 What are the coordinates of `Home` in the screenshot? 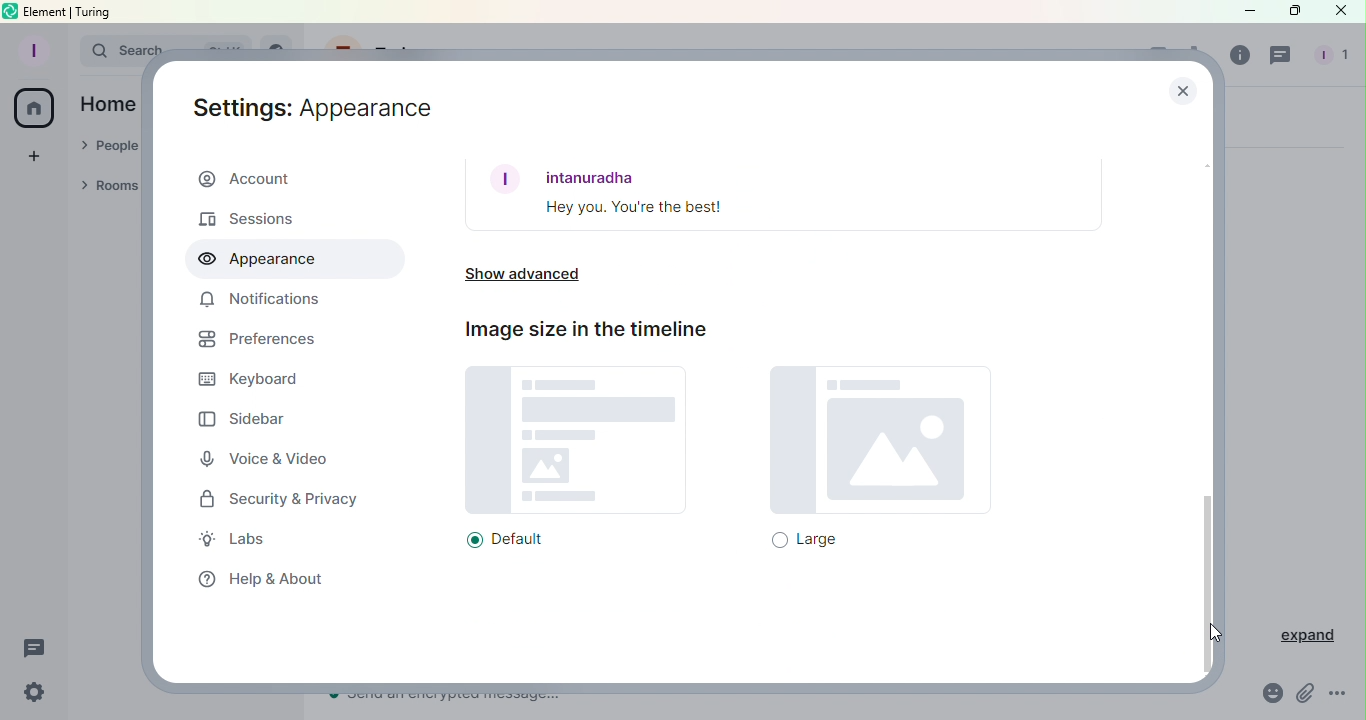 It's located at (108, 103).